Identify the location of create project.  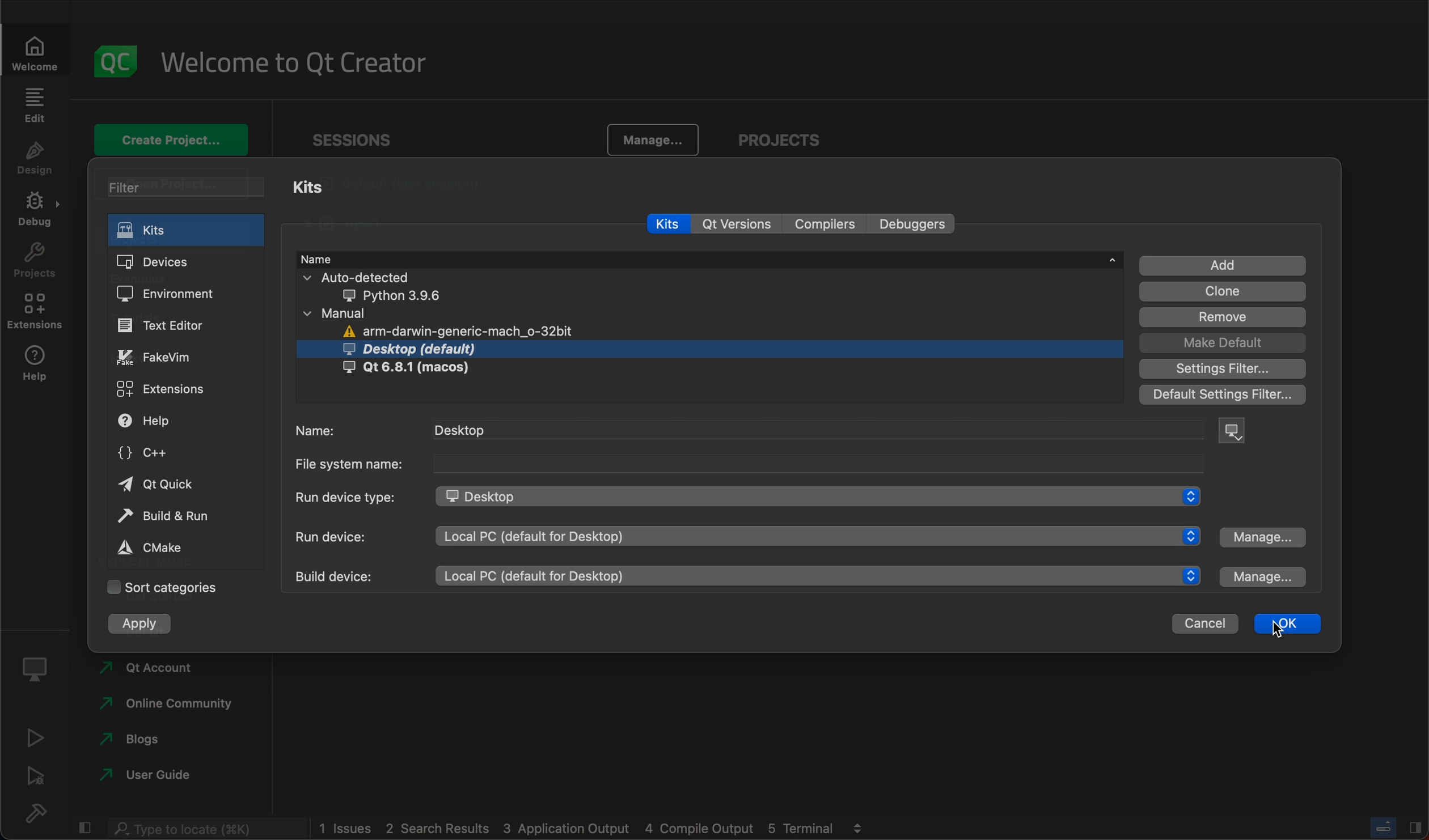
(175, 142).